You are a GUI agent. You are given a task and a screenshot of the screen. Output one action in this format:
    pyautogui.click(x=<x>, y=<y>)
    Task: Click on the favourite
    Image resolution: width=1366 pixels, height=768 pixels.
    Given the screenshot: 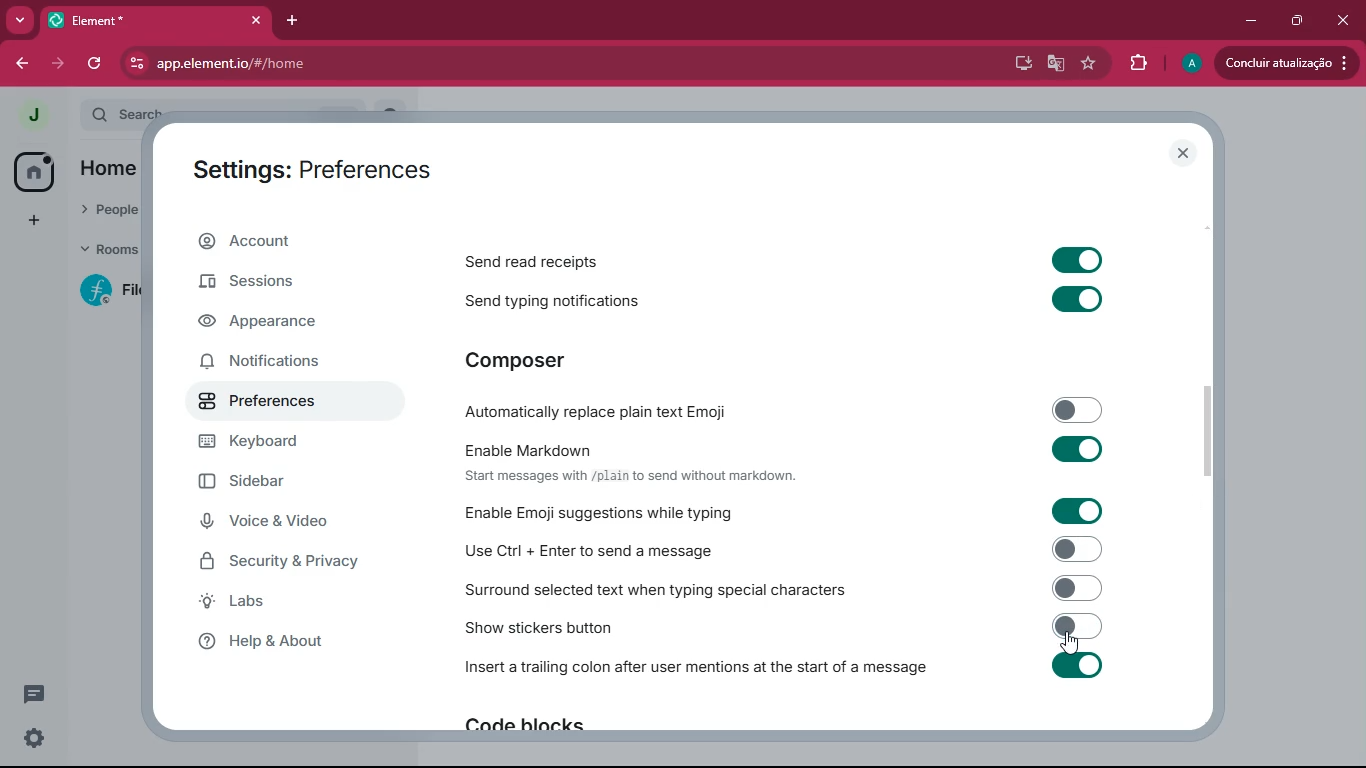 What is the action you would take?
    pyautogui.click(x=1089, y=64)
    